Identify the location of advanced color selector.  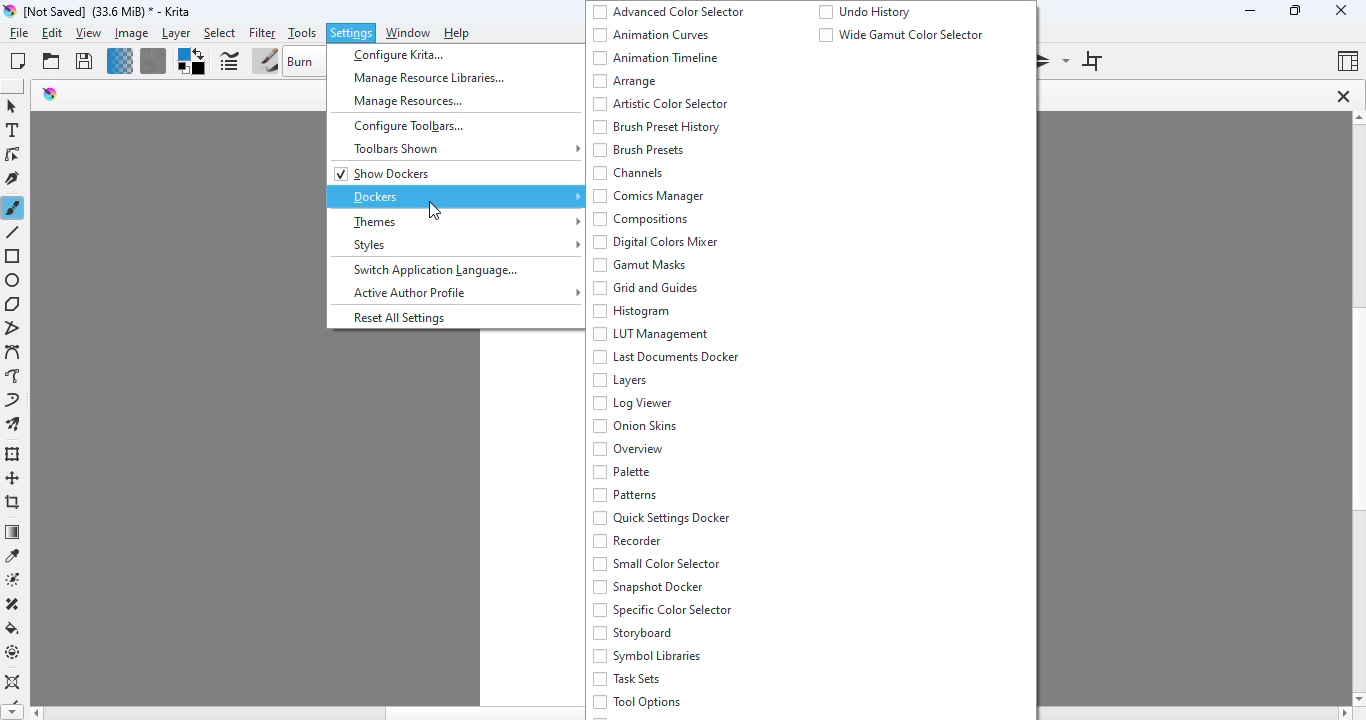
(669, 12).